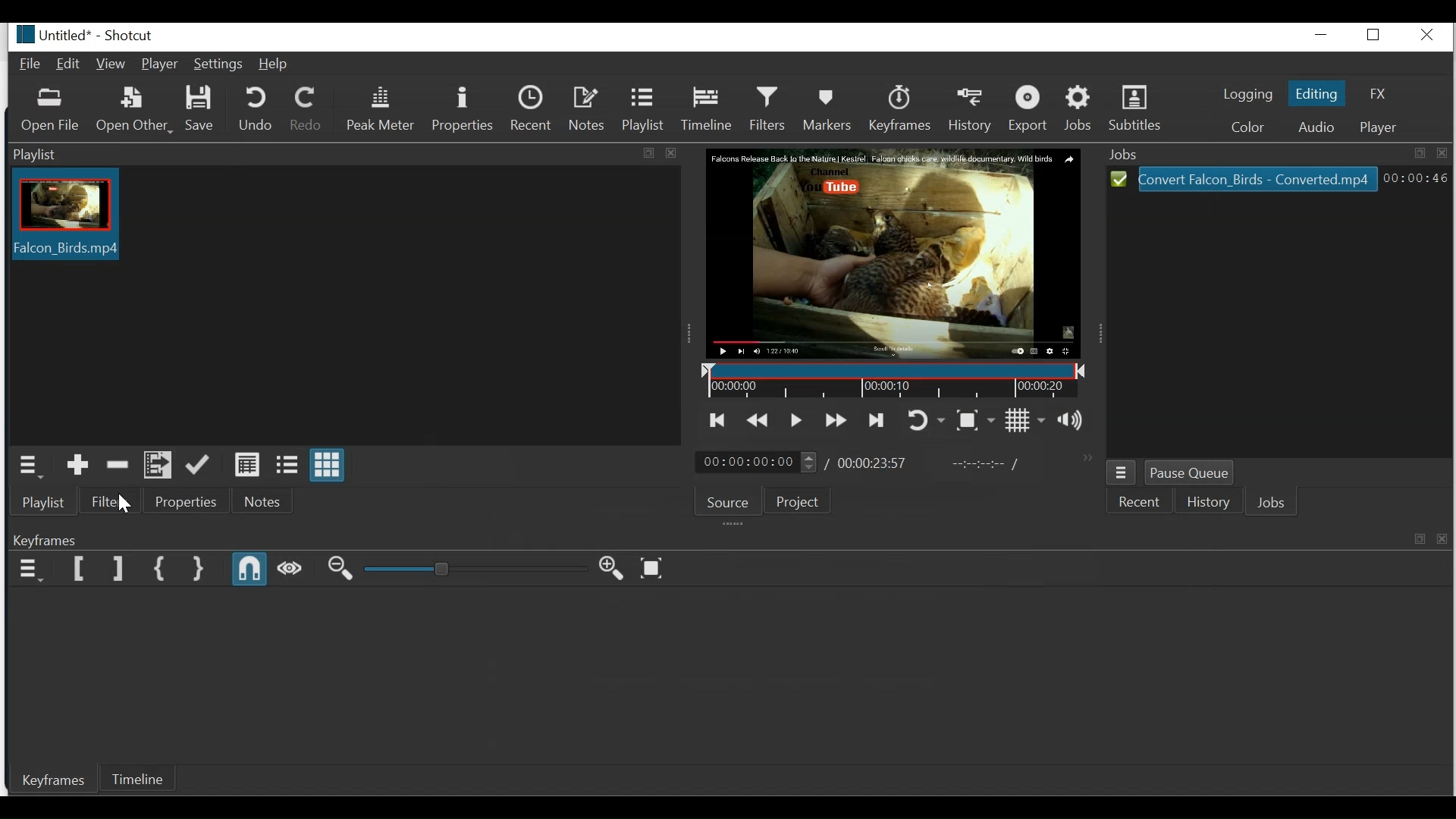  Describe the element at coordinates (218, 65) in the screenshot. I see `Settings` at that location.